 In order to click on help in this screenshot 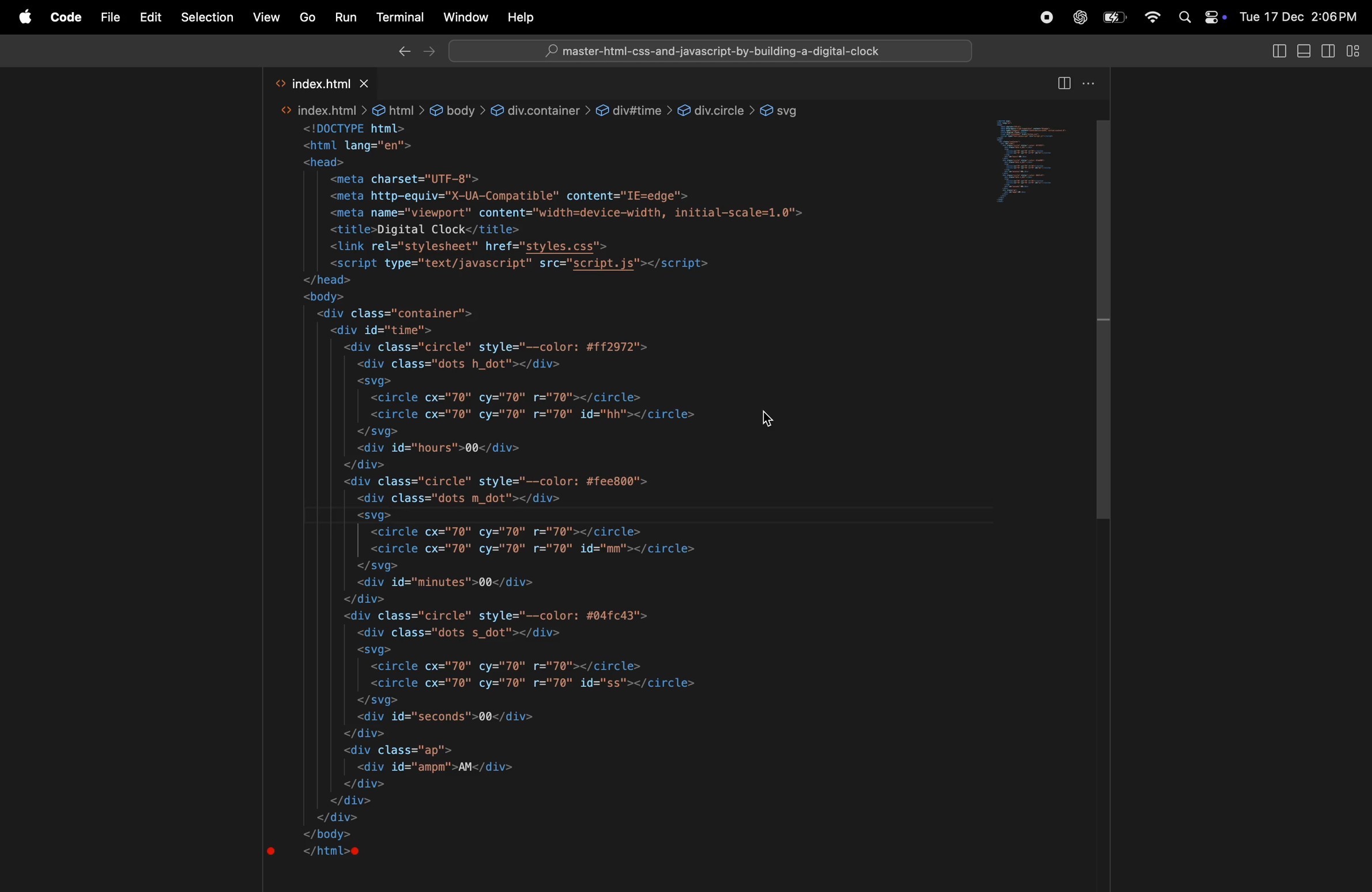, I will do `click(522, 17)`.